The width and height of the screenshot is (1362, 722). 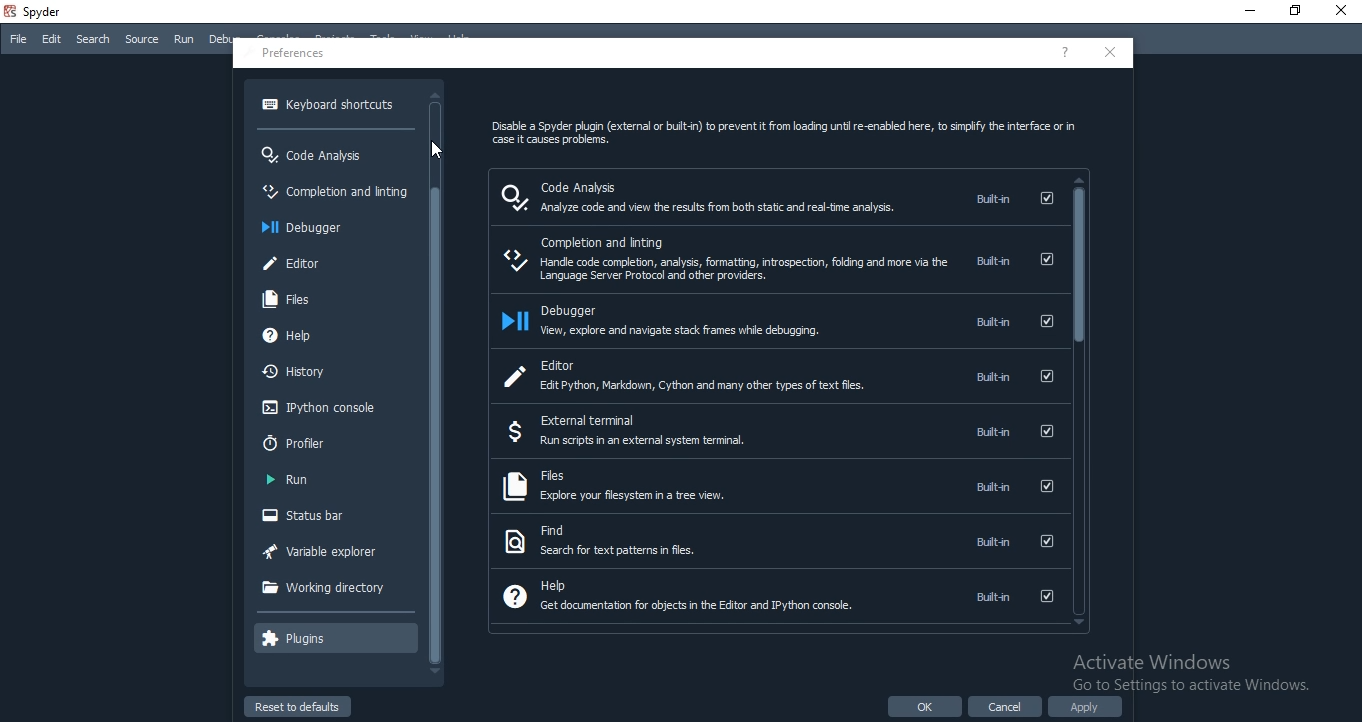 I want to click on text, so click(x=991, y=596).